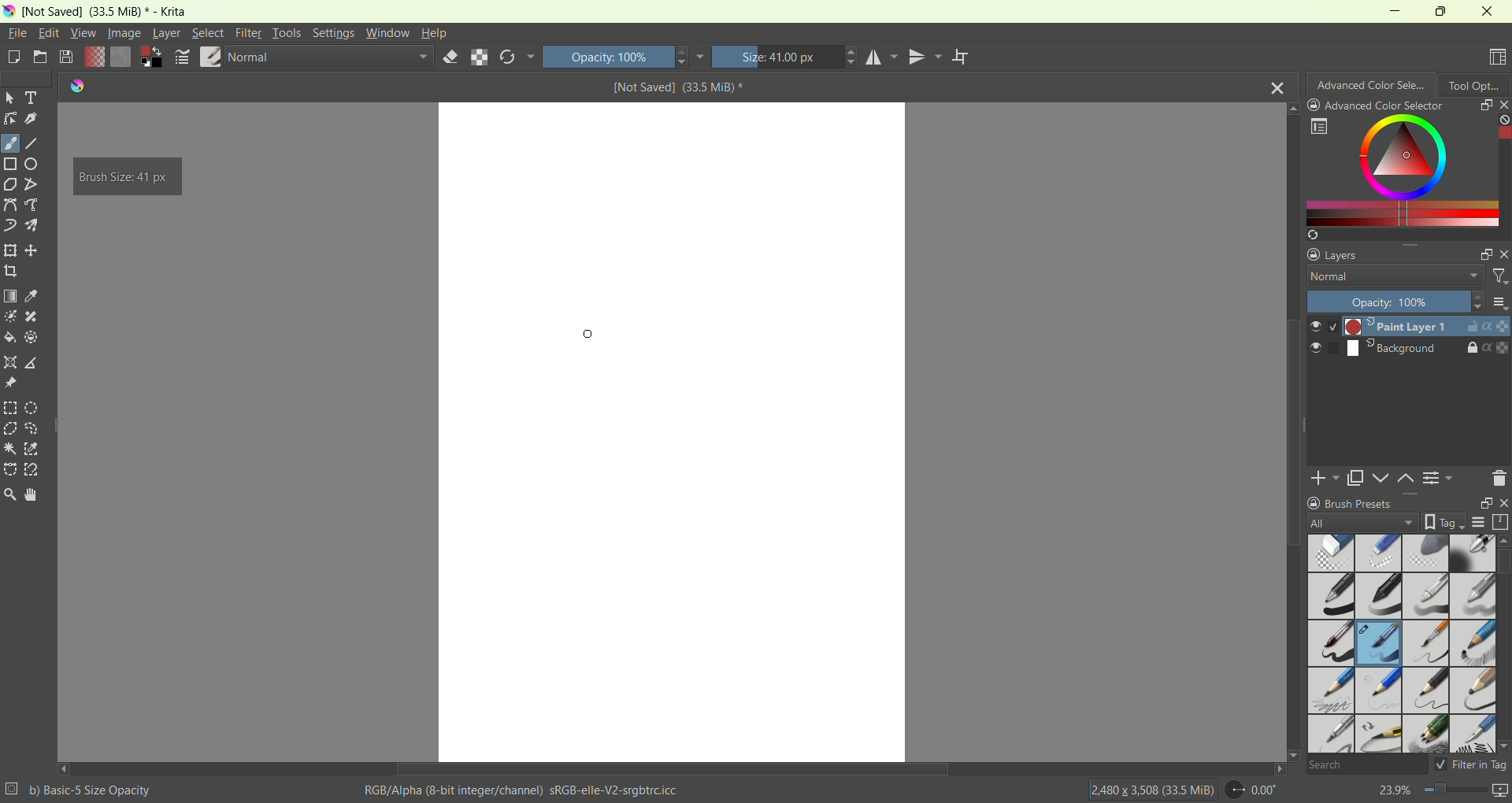 This screenshot has height=803, width=1512. Describe the element at coordinates (39, 56) in the screenshot. I see `open` at that location.